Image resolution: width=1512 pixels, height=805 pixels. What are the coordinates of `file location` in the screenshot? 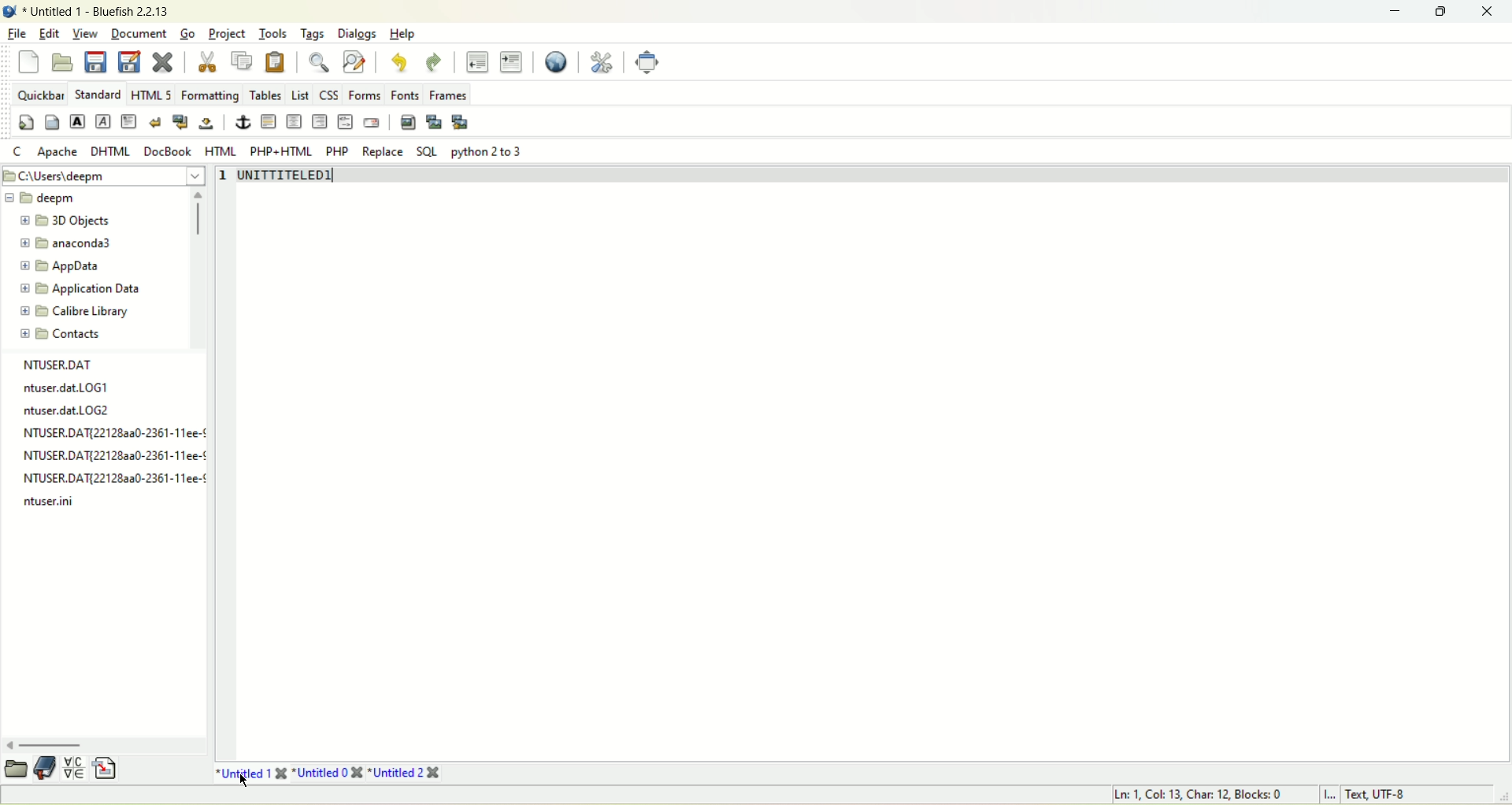 It's located at (67, 176).